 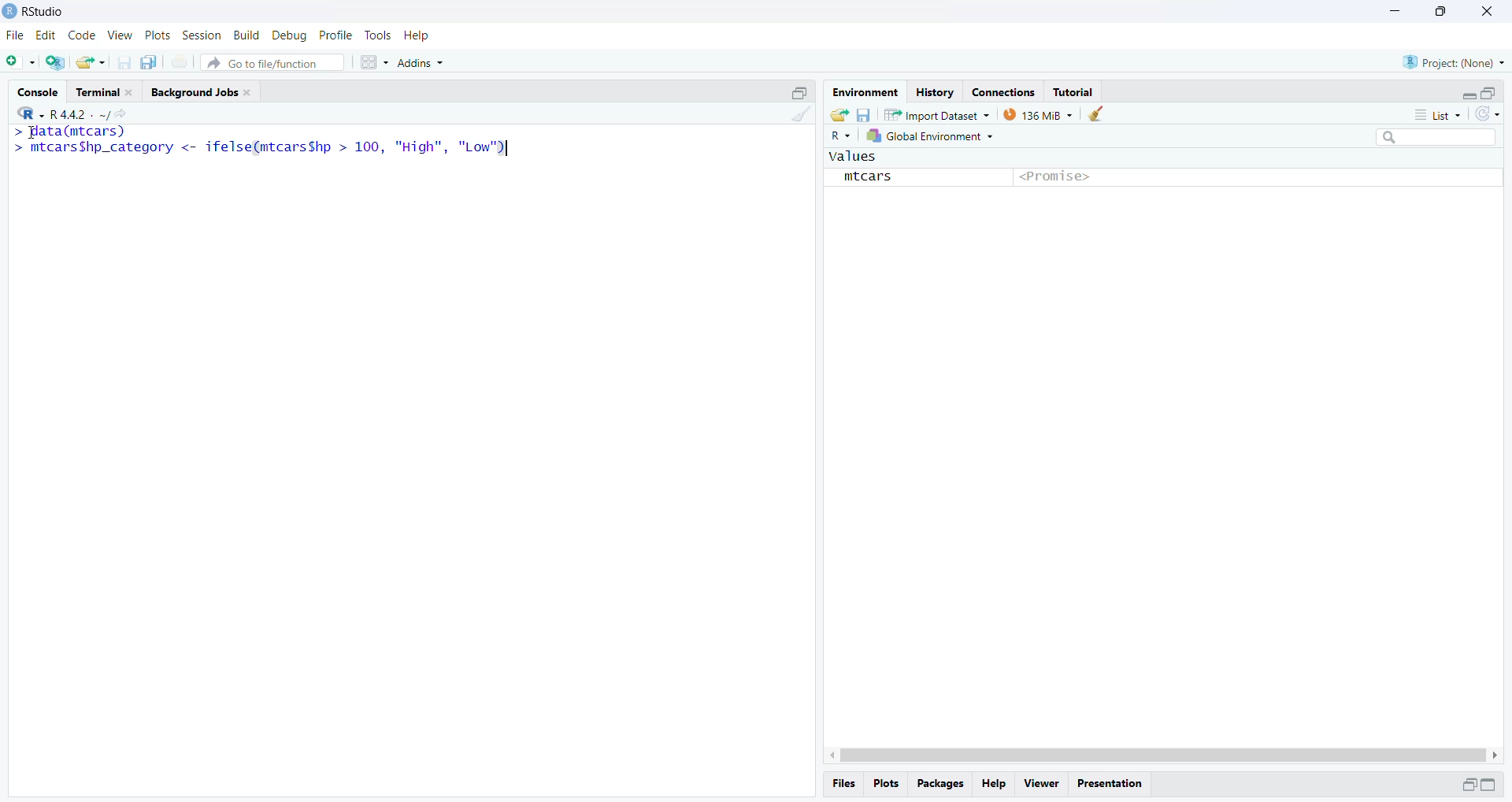 I want to click on Save current document (Ctrl + S), so click(x=128, y=62).